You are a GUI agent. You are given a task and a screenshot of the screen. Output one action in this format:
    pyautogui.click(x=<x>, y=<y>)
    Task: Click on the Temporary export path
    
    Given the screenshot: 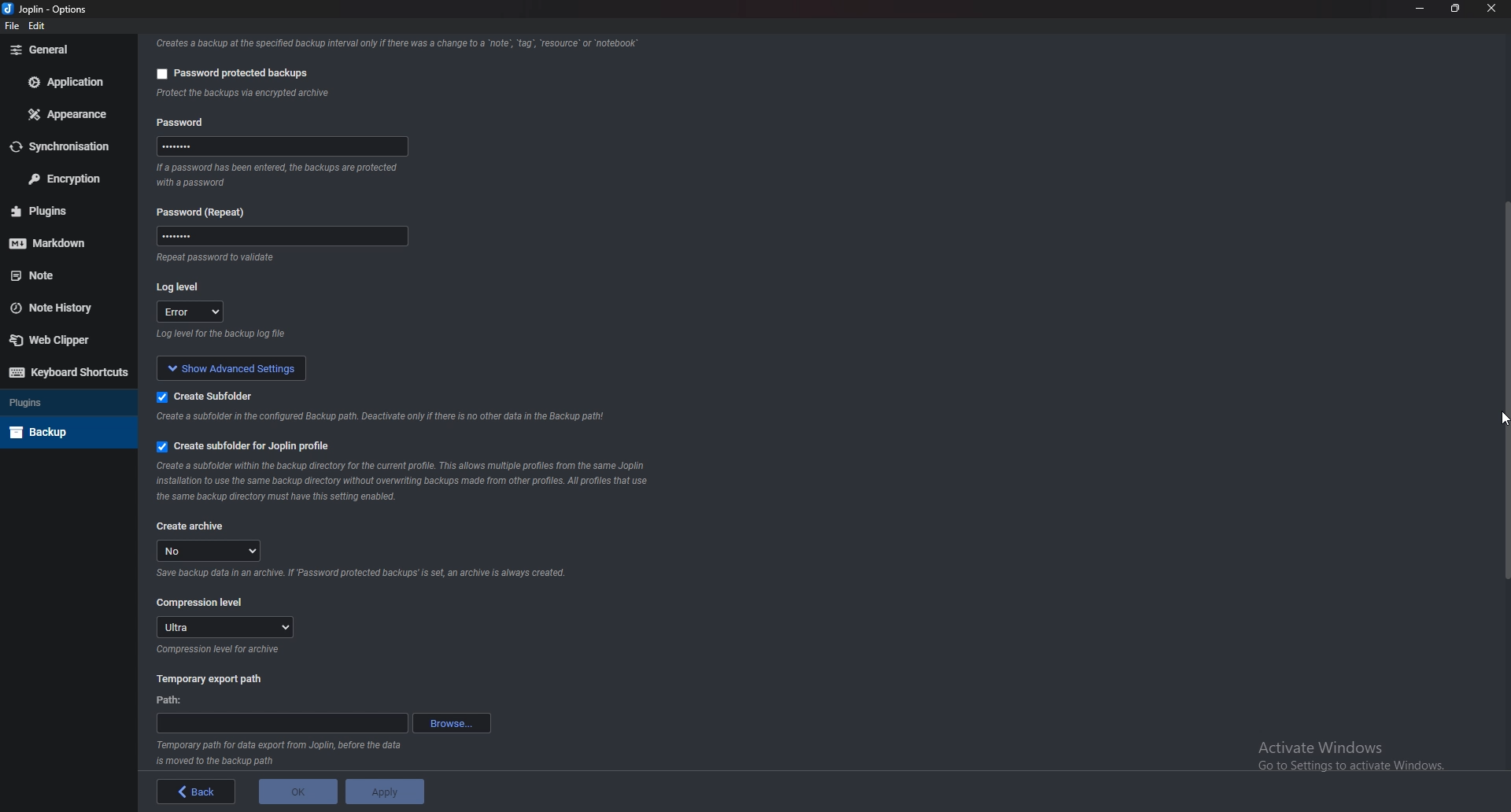 What is the action you would take?
    pyautogui.click(x=209, y=679)
    